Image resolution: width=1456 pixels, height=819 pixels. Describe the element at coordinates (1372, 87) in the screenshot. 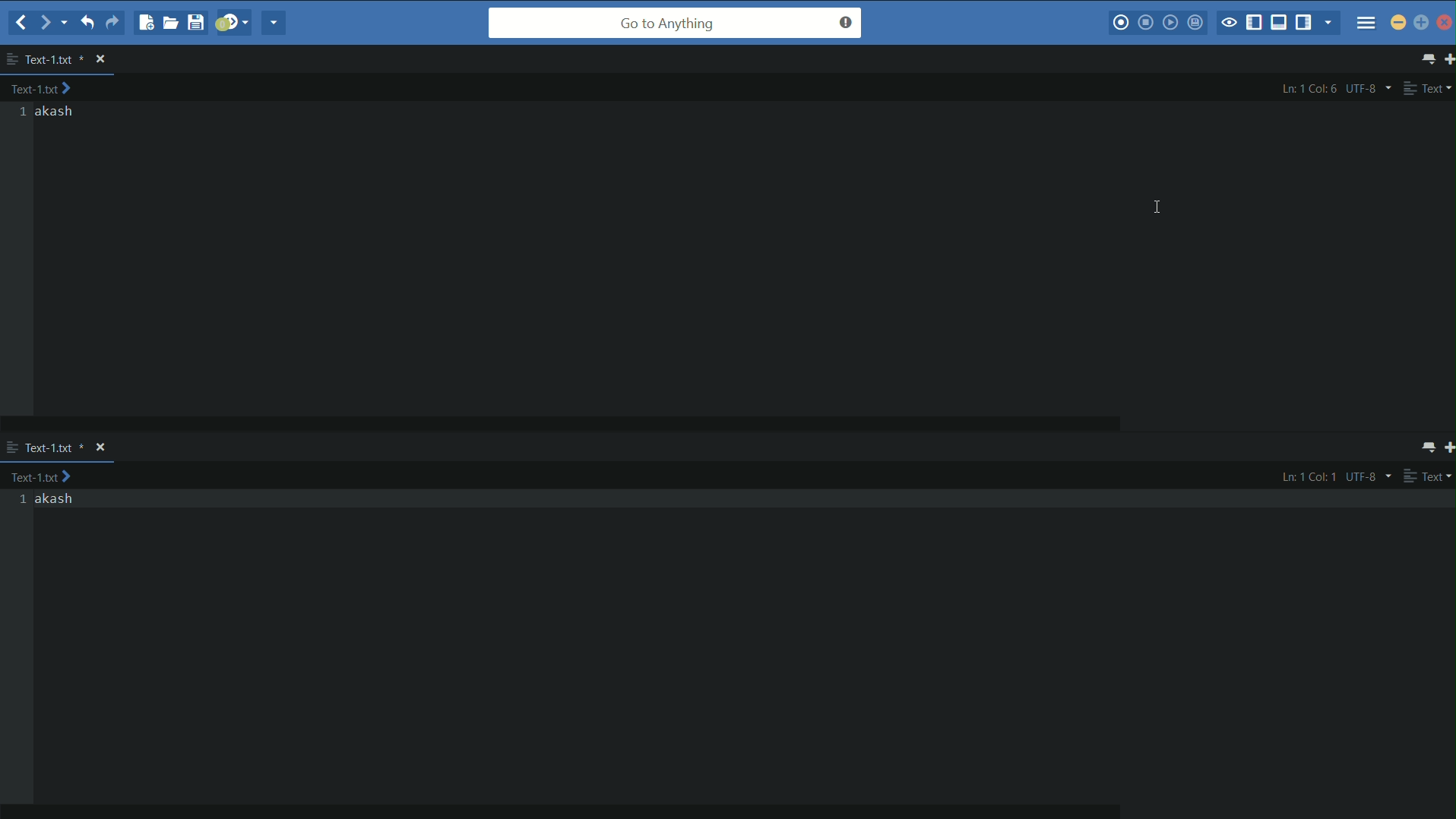

I see `line encoding` at that location.